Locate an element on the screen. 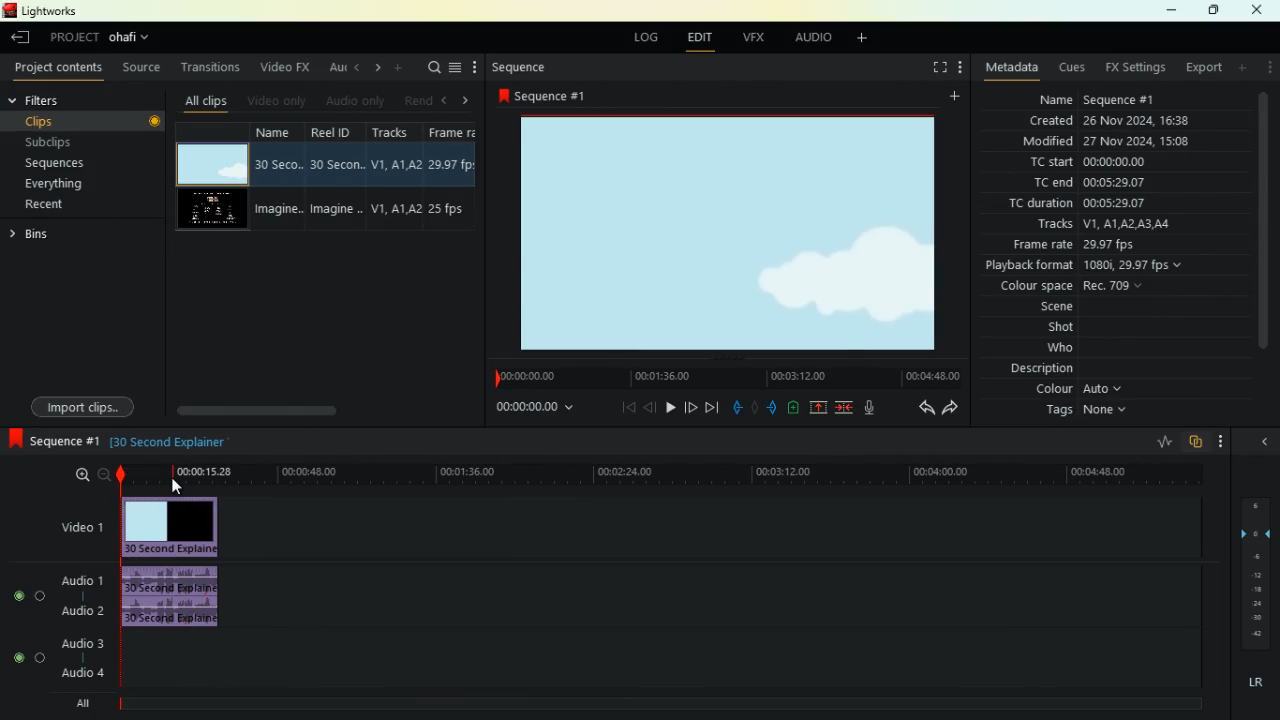 The height and width of the screenshot is (720, 1280). audio 1 is located at coordinates (75, 581).